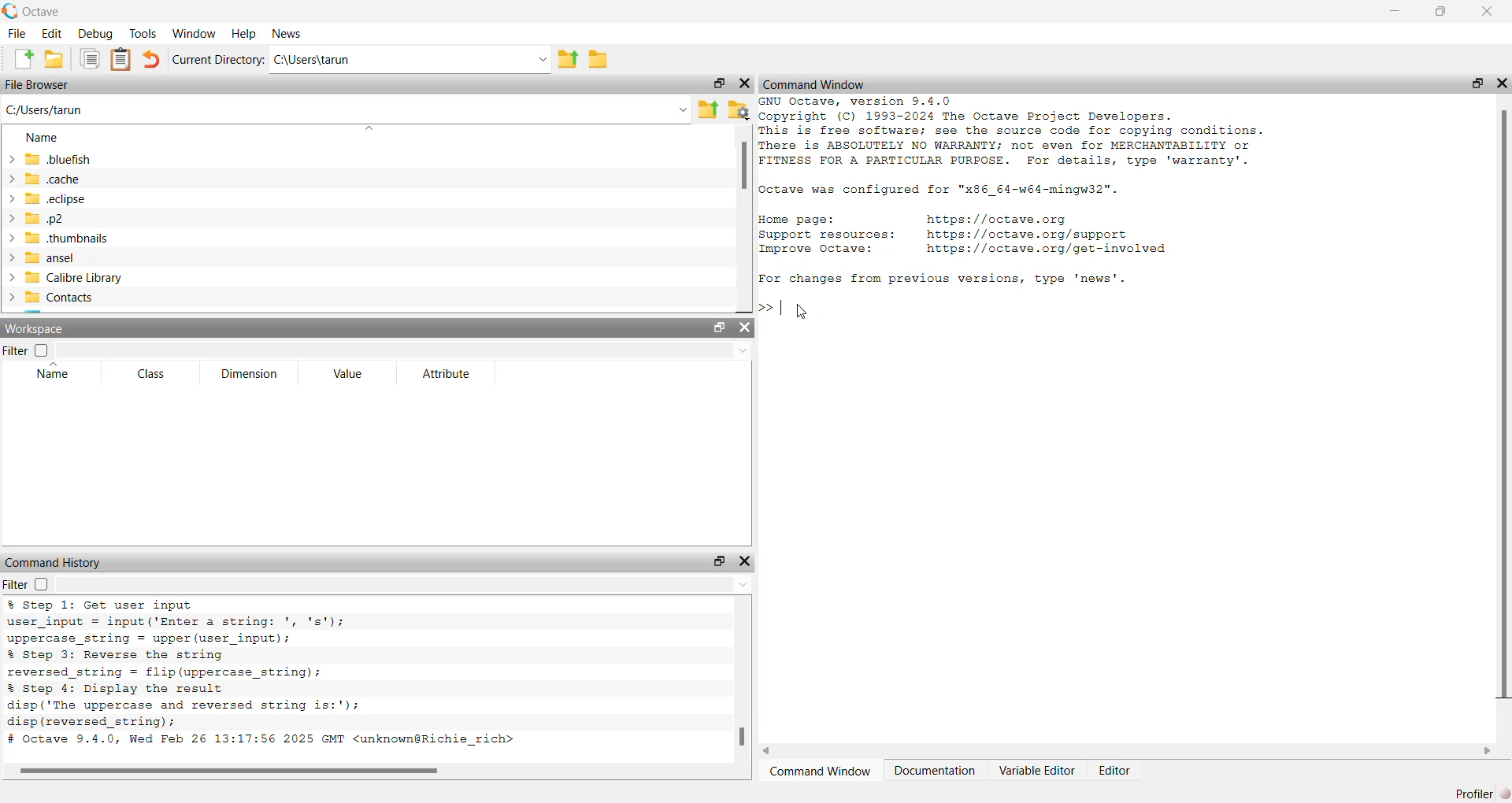 This screenshot has width=1512, height=803. I want to click on one directory up, so click(709, 110).